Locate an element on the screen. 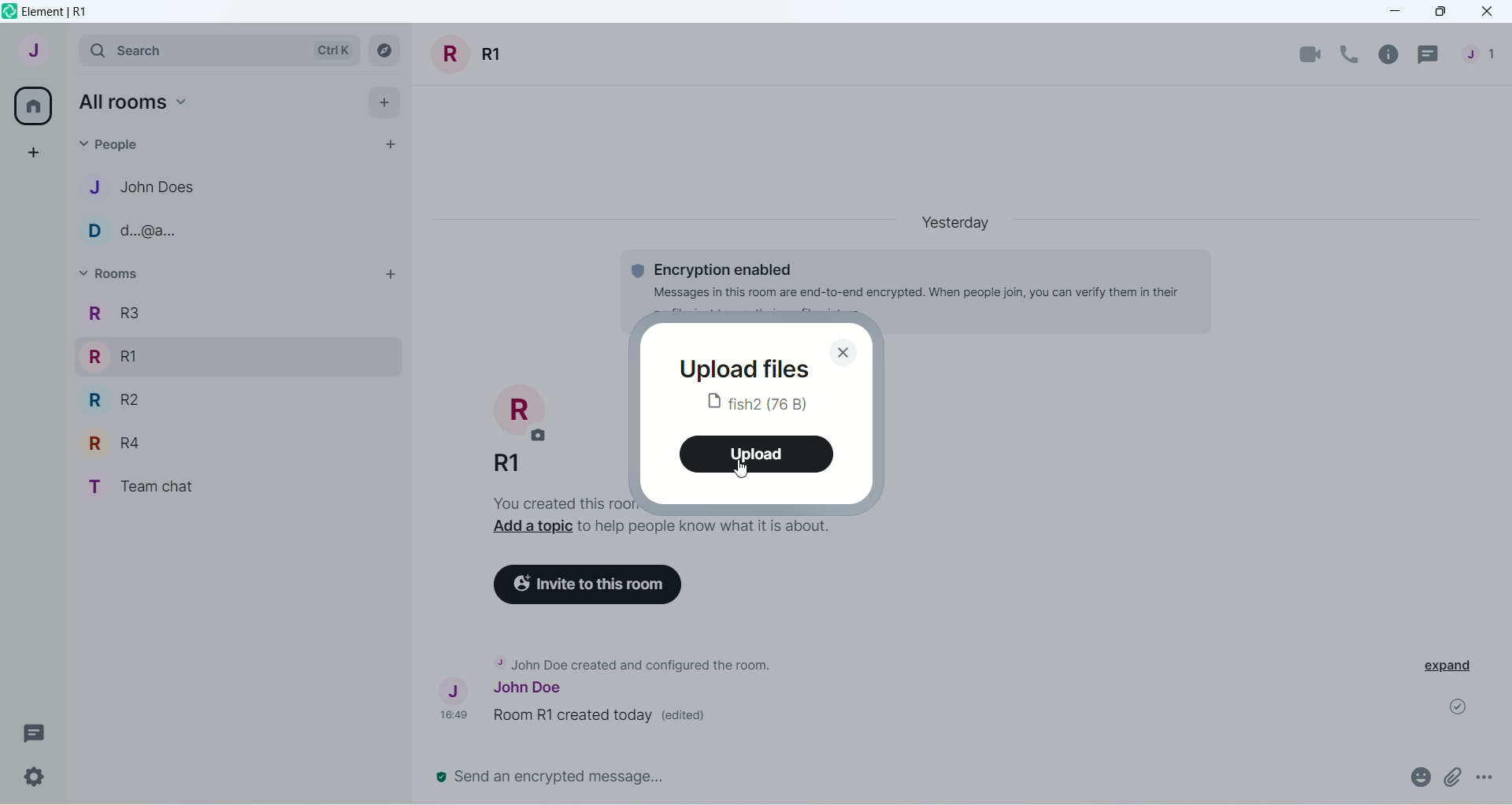 The width and height of the screenshot is (1512, 805). threads is located at coordinates (1432, 54).